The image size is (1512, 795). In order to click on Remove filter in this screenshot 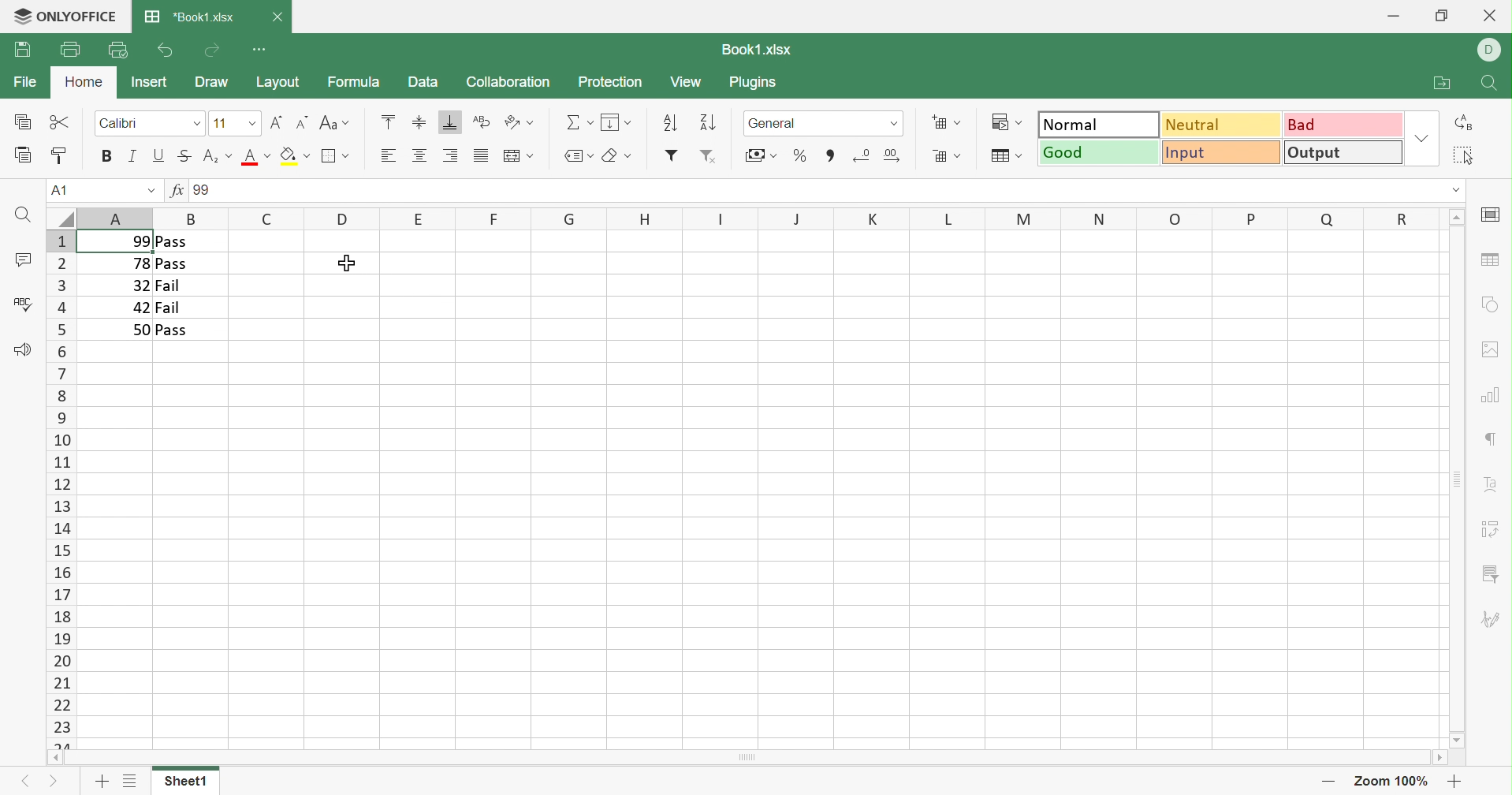, I will do `click(708, 156)`.